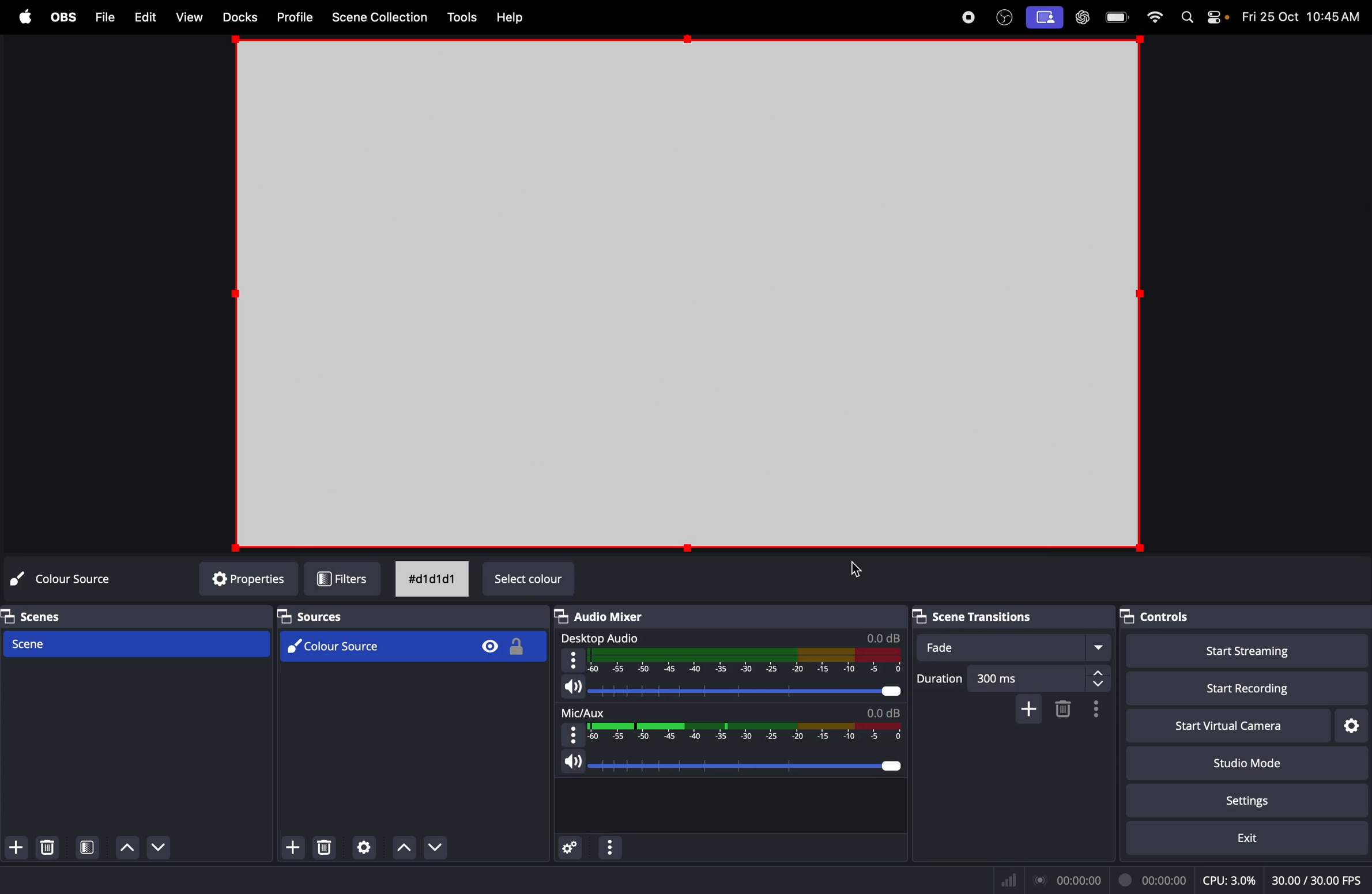 The width and height of the screenshot is (1372, 894). I want to click on Open sorce properties, so click(364, 848).